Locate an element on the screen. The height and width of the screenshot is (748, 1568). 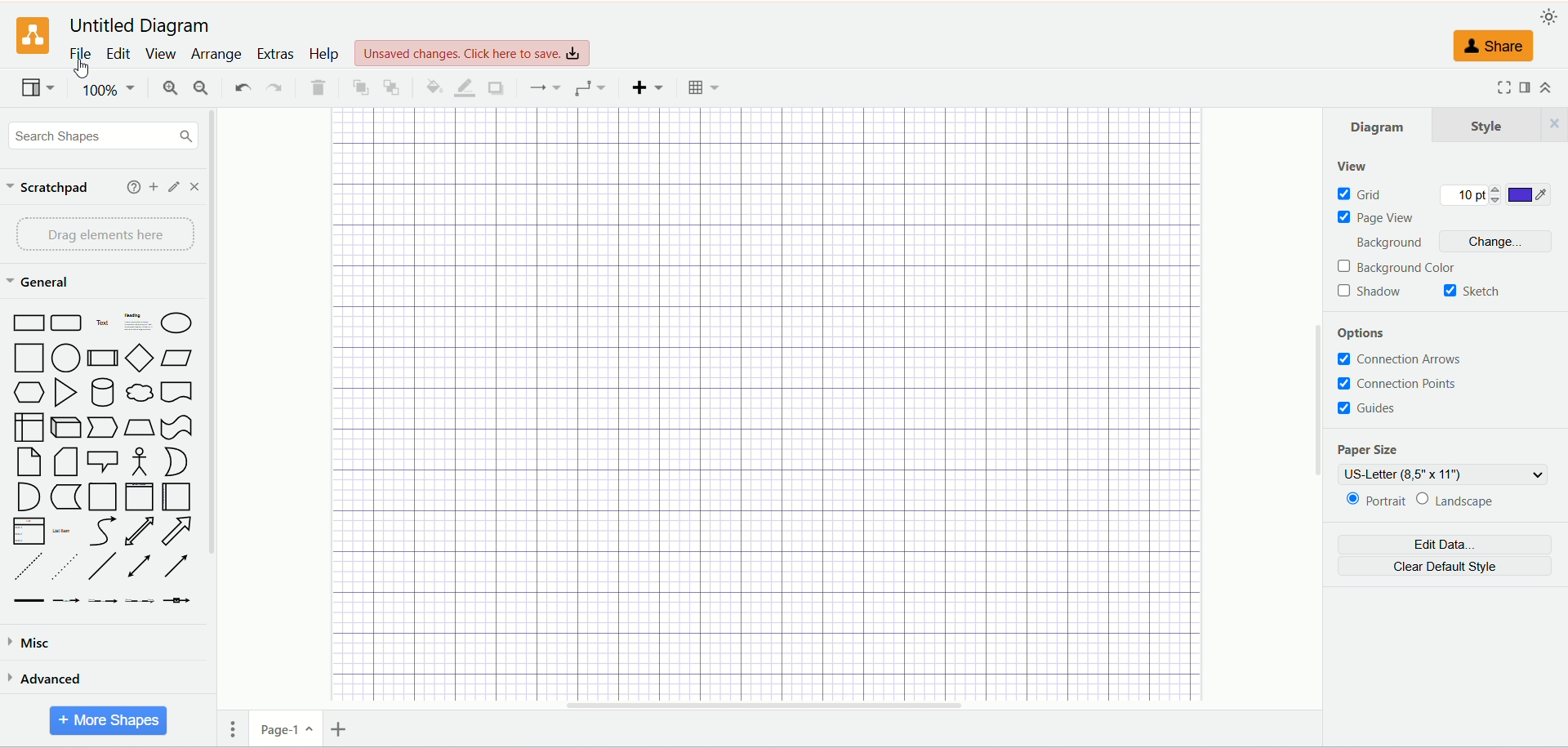
Ellipse is located at coordinates (177, 326).